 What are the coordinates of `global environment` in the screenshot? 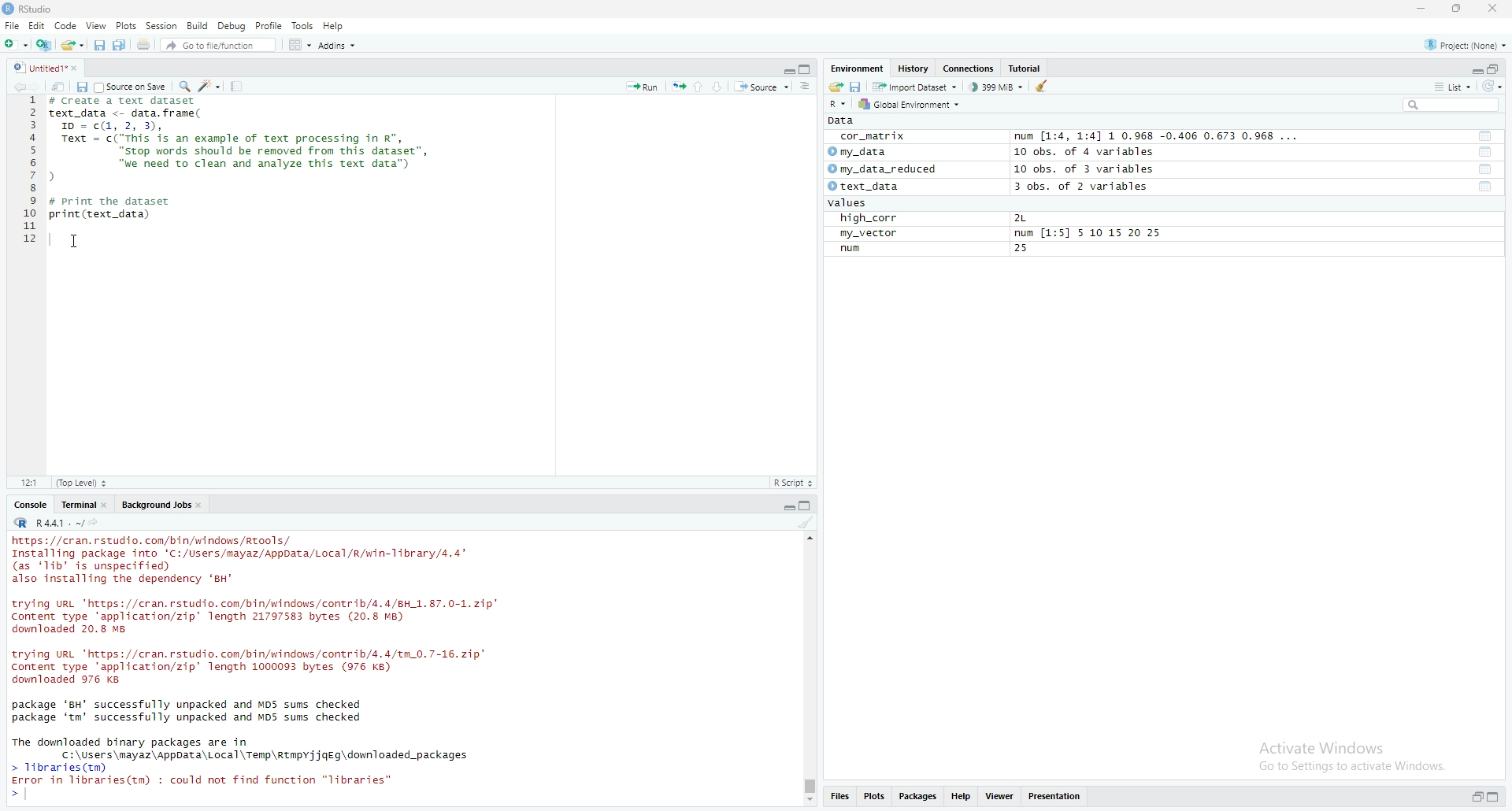 It's located at (916, 106).